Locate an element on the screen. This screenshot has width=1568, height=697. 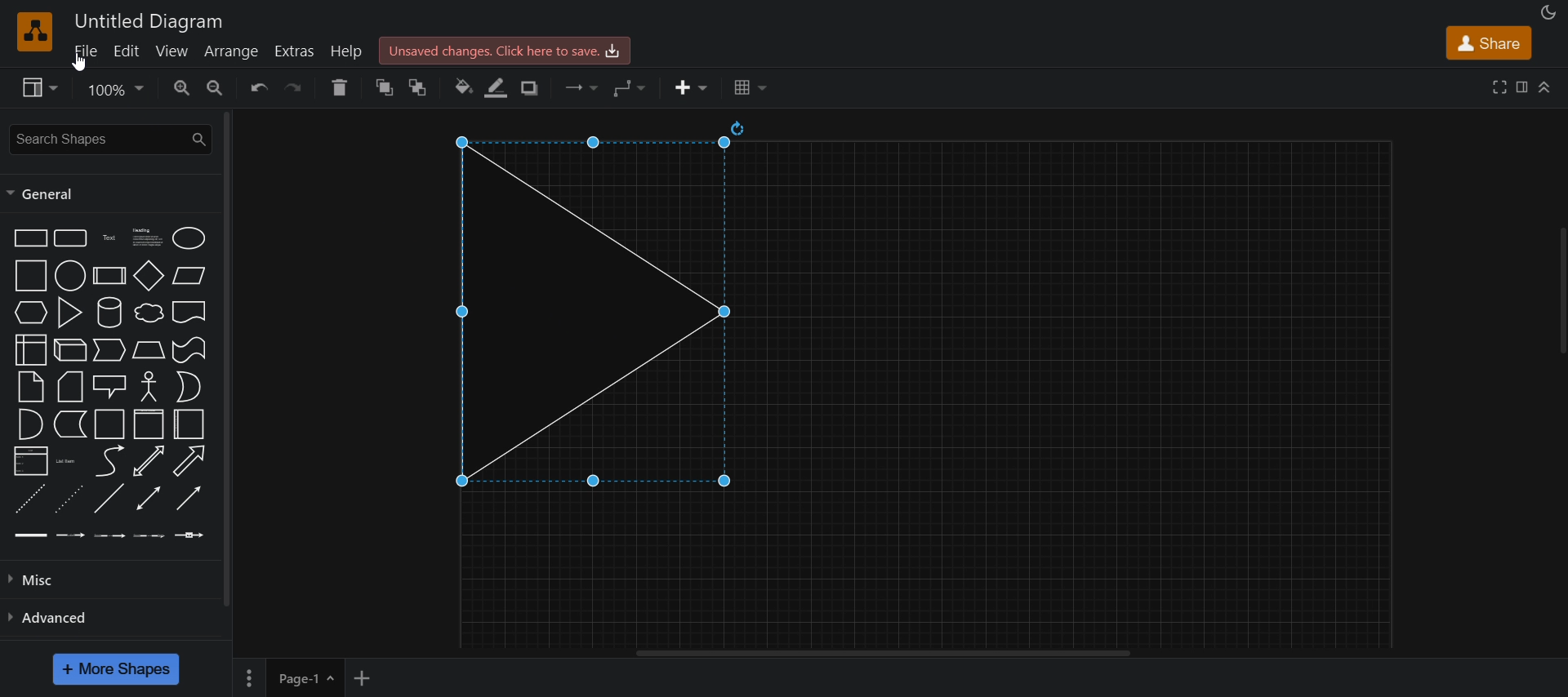
connector with 3 label is located at coordinates (152, 535).